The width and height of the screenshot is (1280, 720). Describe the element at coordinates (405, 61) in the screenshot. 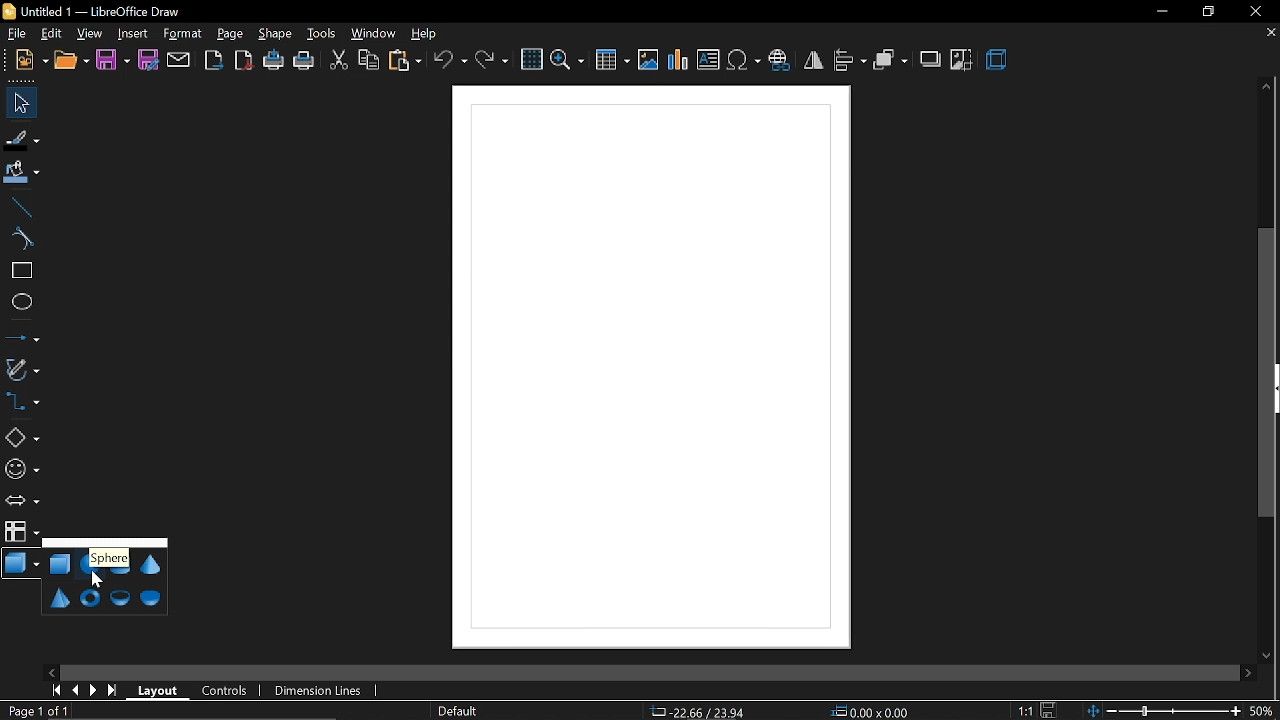

I see `paste` at that location.